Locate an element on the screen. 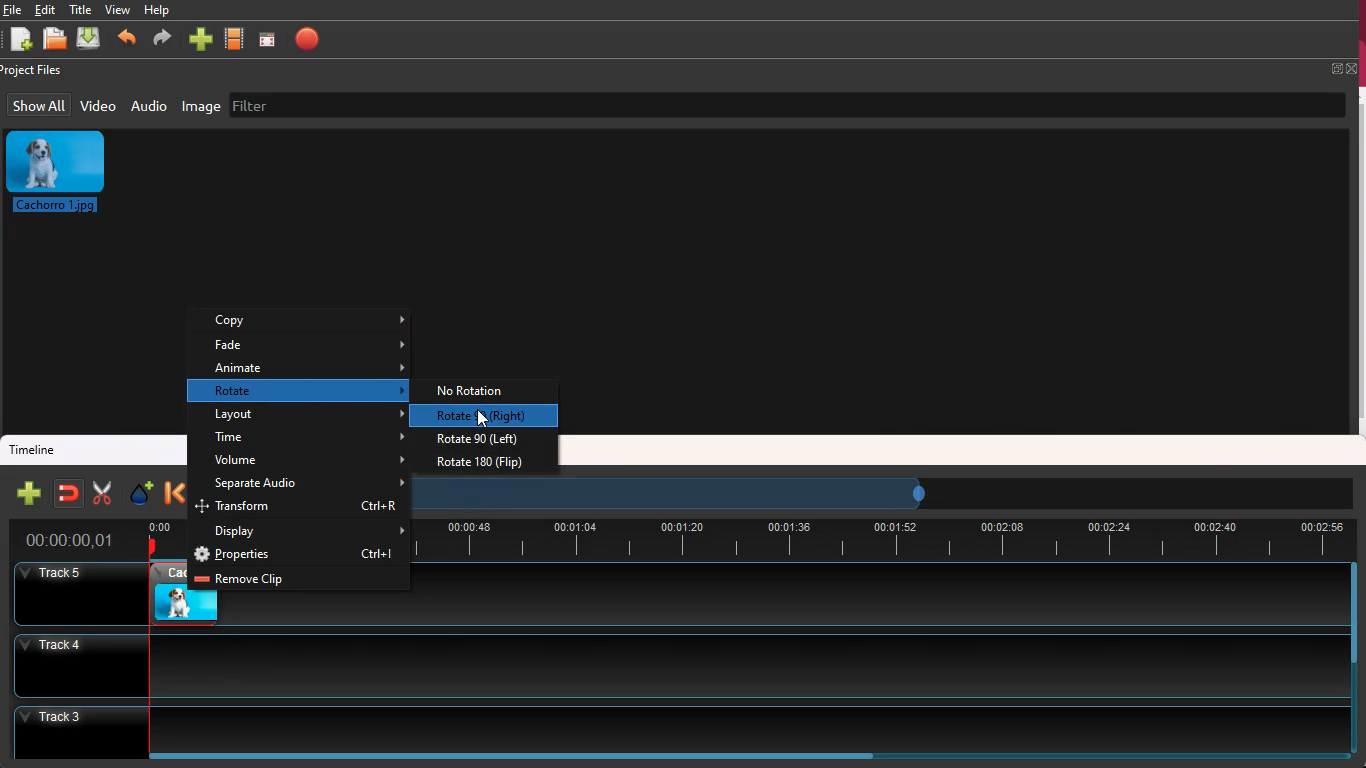 The height and width of the screenshot is (768, 1366). download is located at coordinates (90, 37).